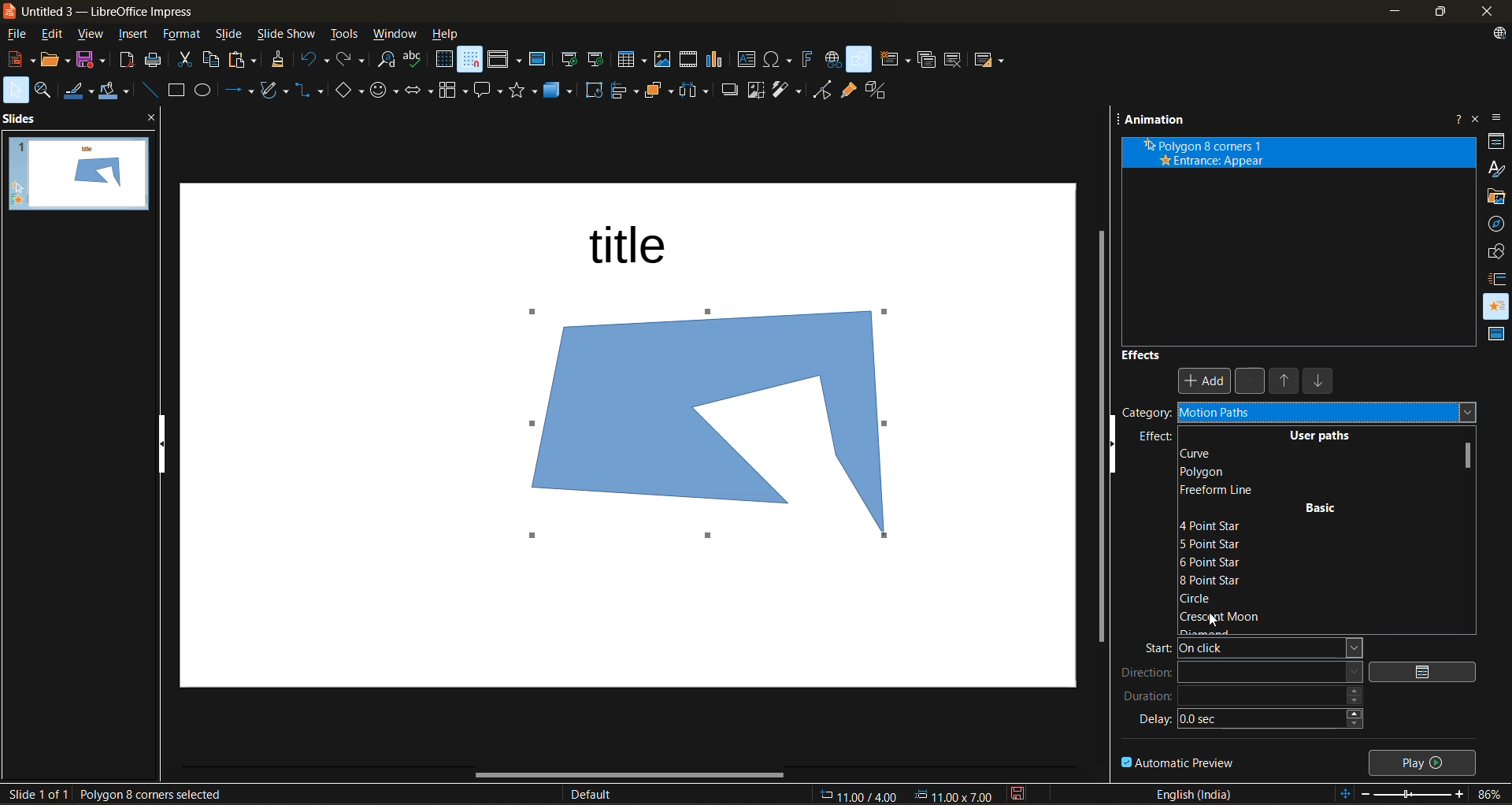  I want to click on insert image, so click(661, 59).